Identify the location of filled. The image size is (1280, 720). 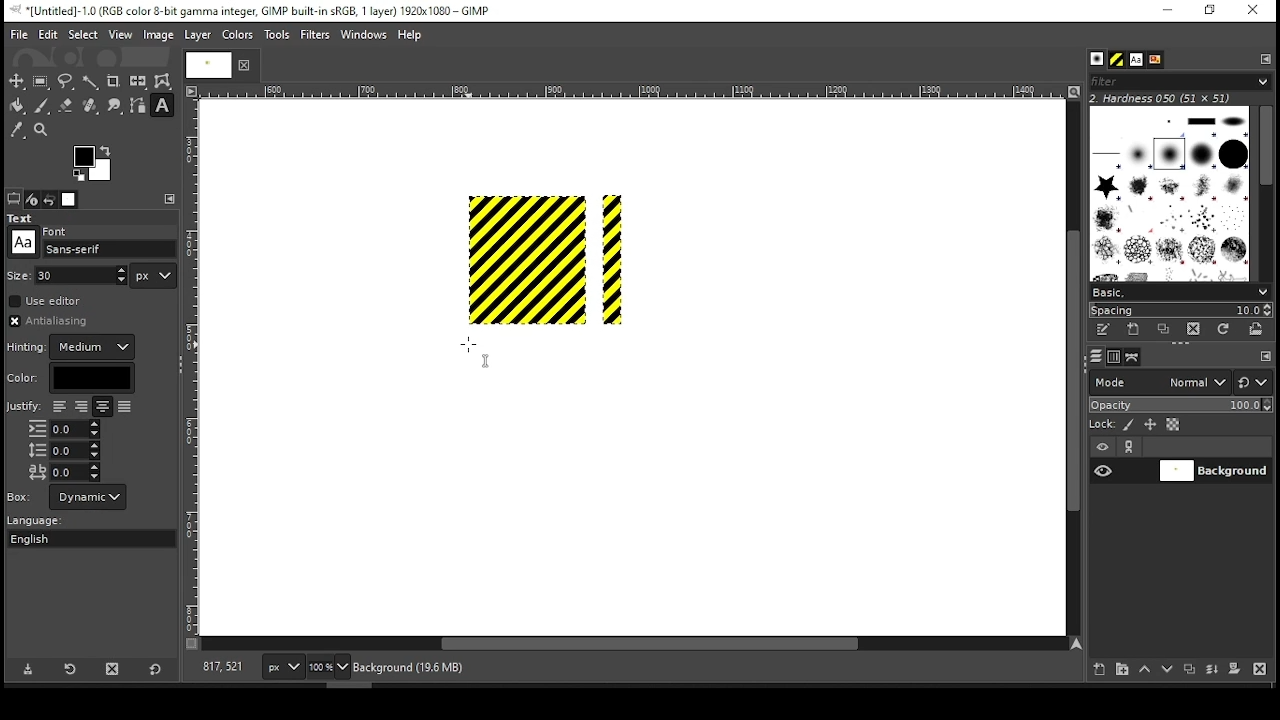
(124, 408).